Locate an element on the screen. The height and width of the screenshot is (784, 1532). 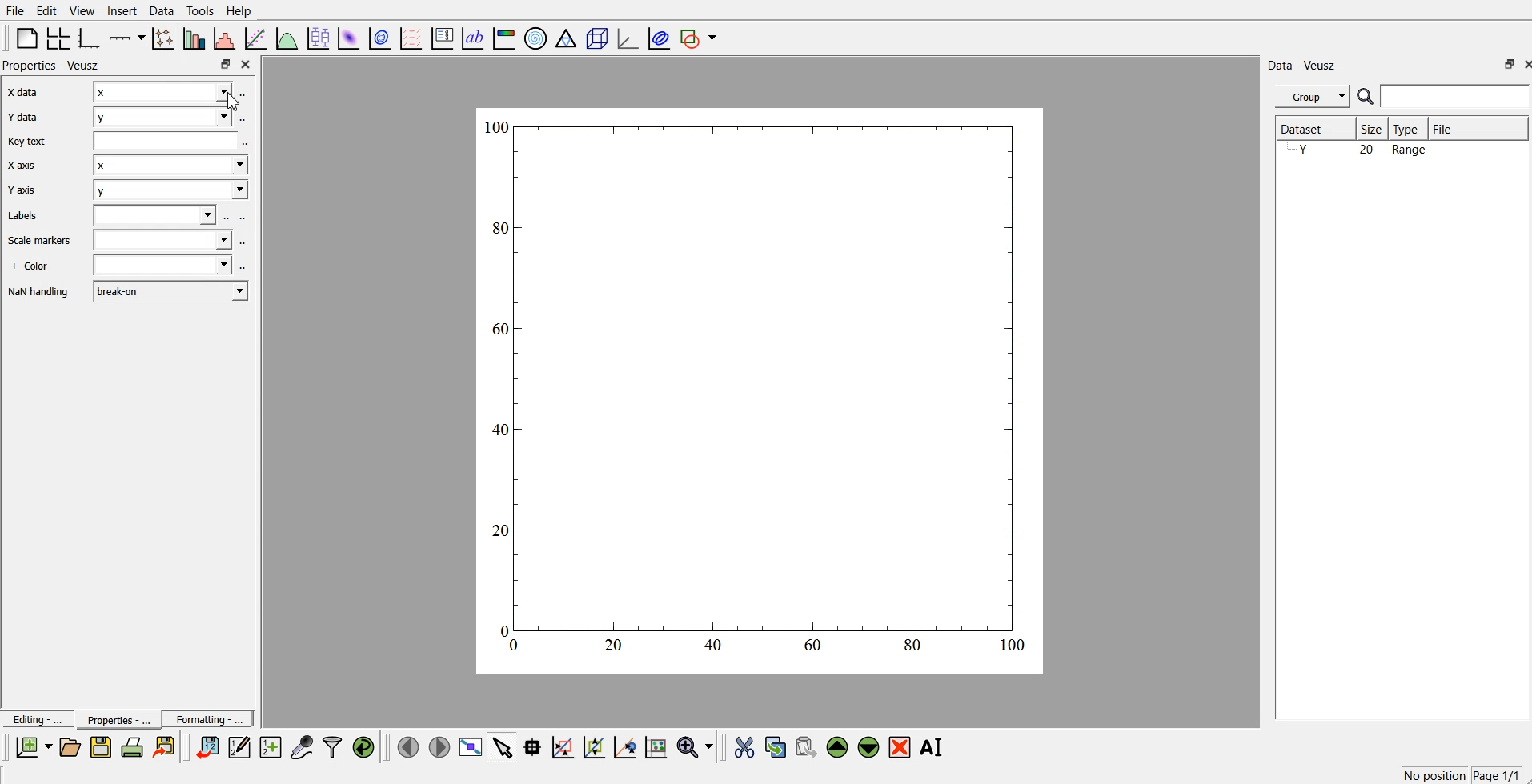
Move to next page is located at coordinates (439, 746).